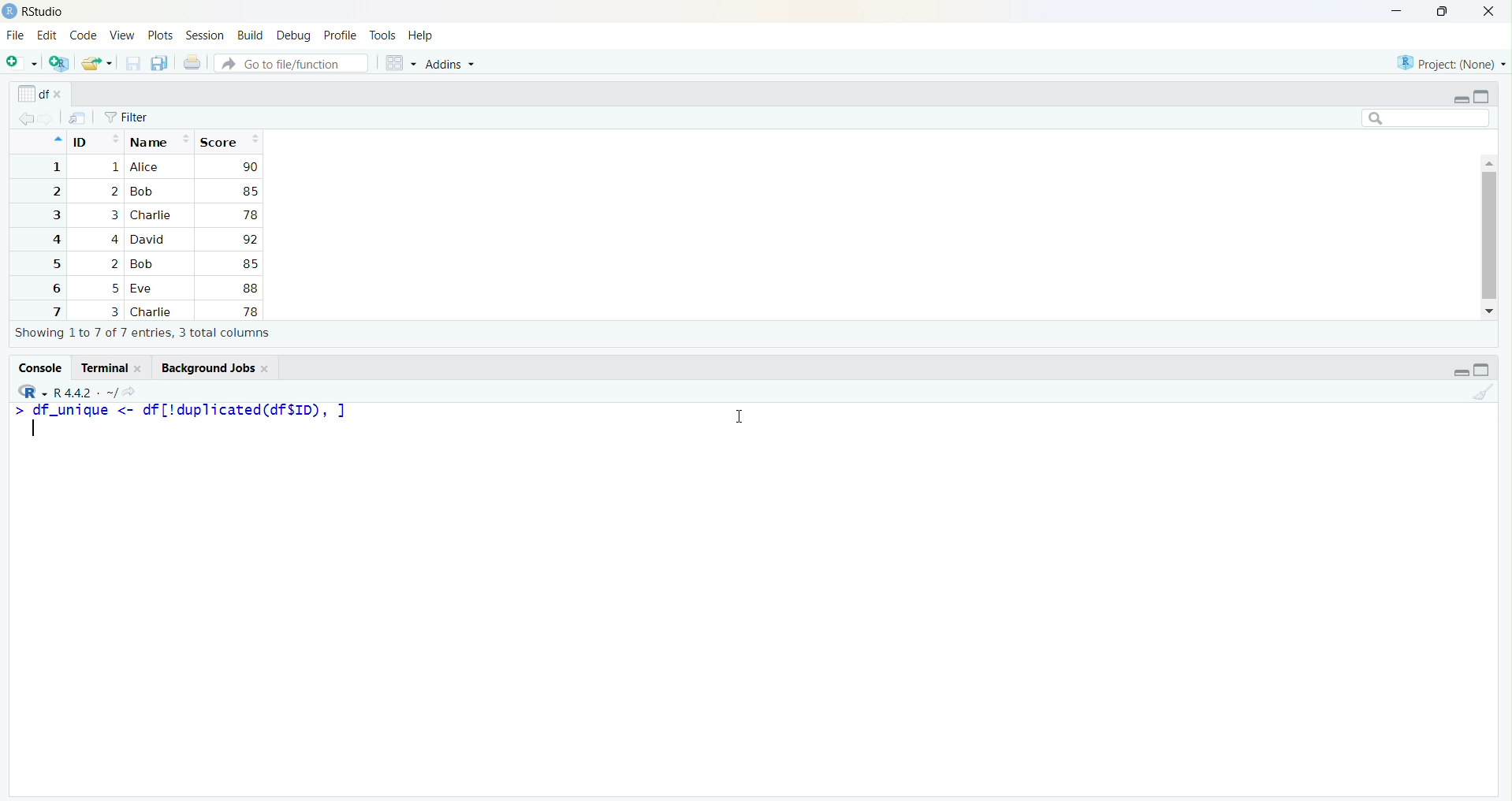 The width and height of the screenshot is (1512, 801). Describe the element at coordinates (54, 215) in the screenshot. I see `3` at that location.